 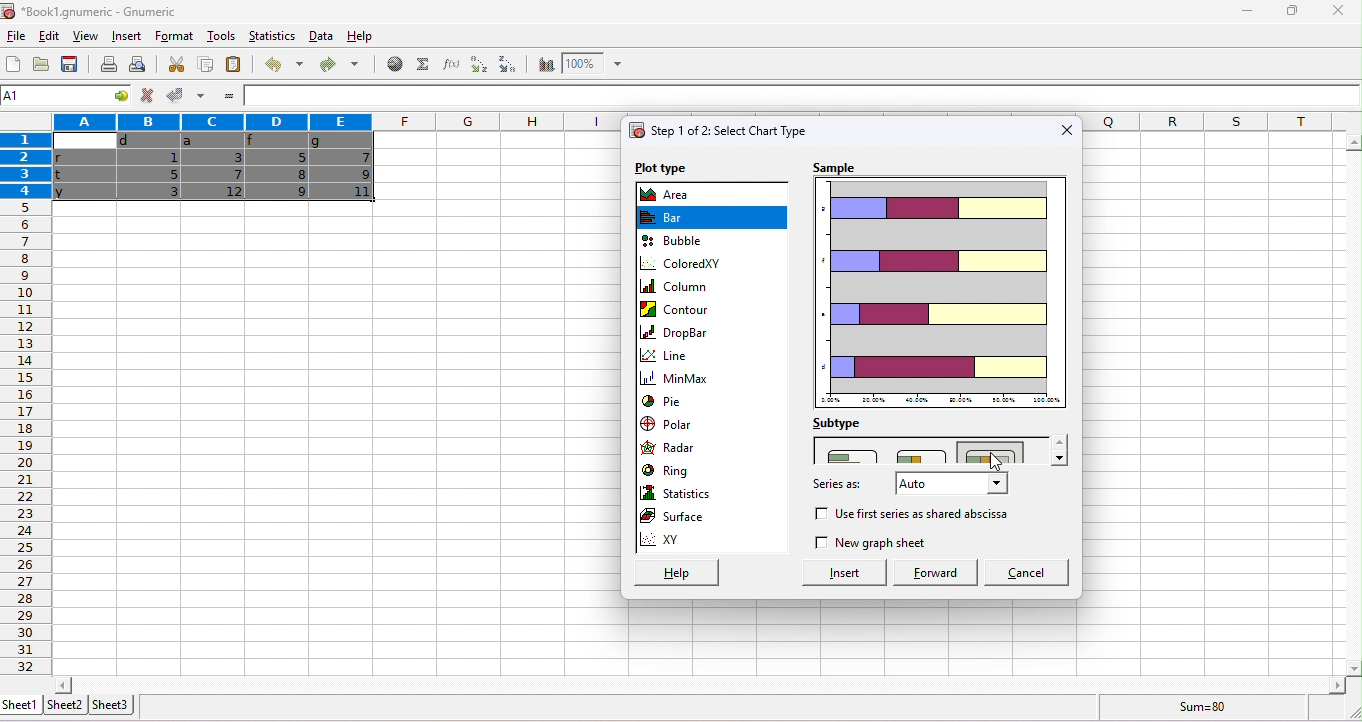 What do you see at coordinates (834, 572) in the screenshot?
I see `insert` at bounding box center [834, 572].